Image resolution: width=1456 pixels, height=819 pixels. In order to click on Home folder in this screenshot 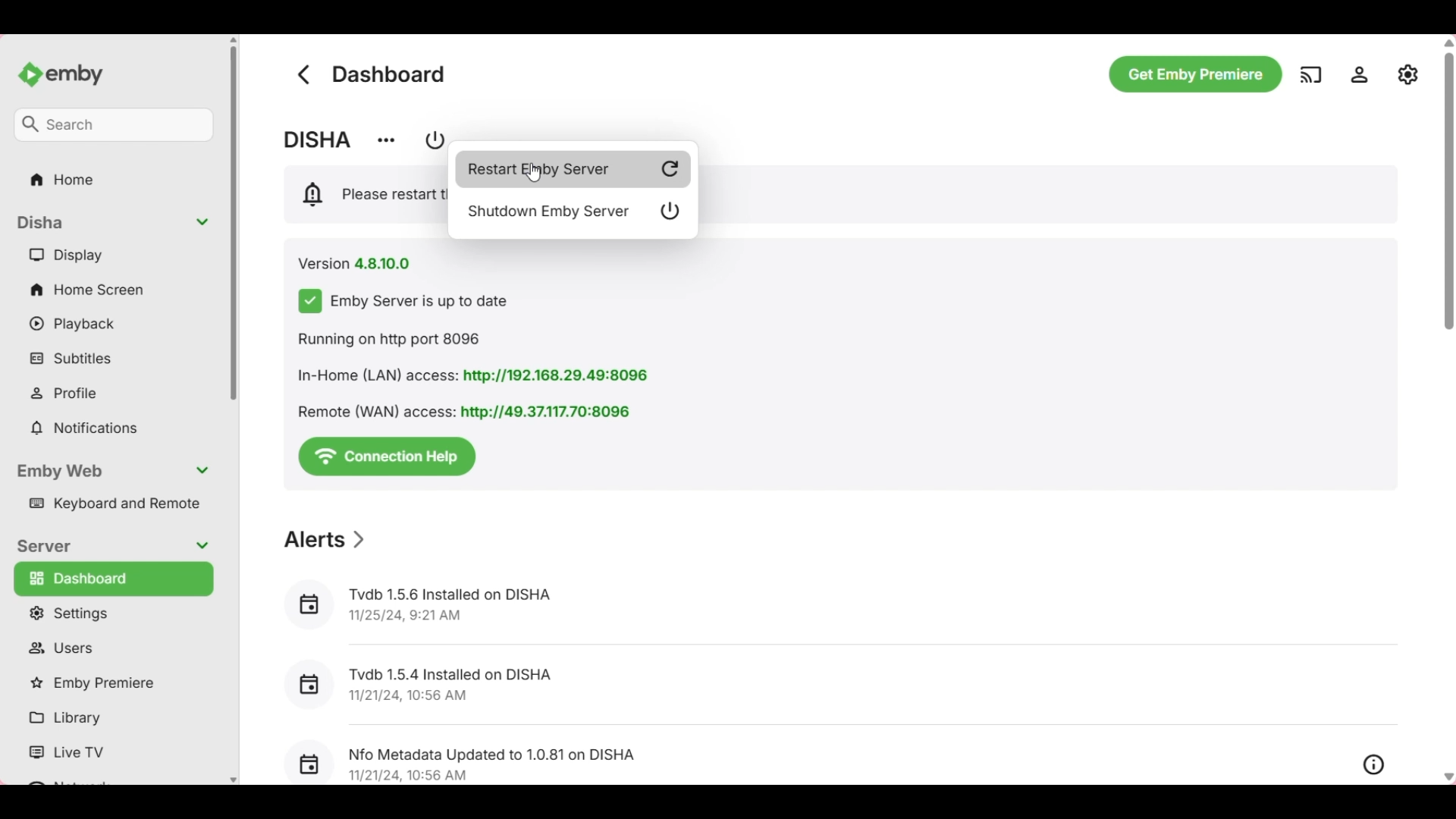, I will do `click(115, 179)`.